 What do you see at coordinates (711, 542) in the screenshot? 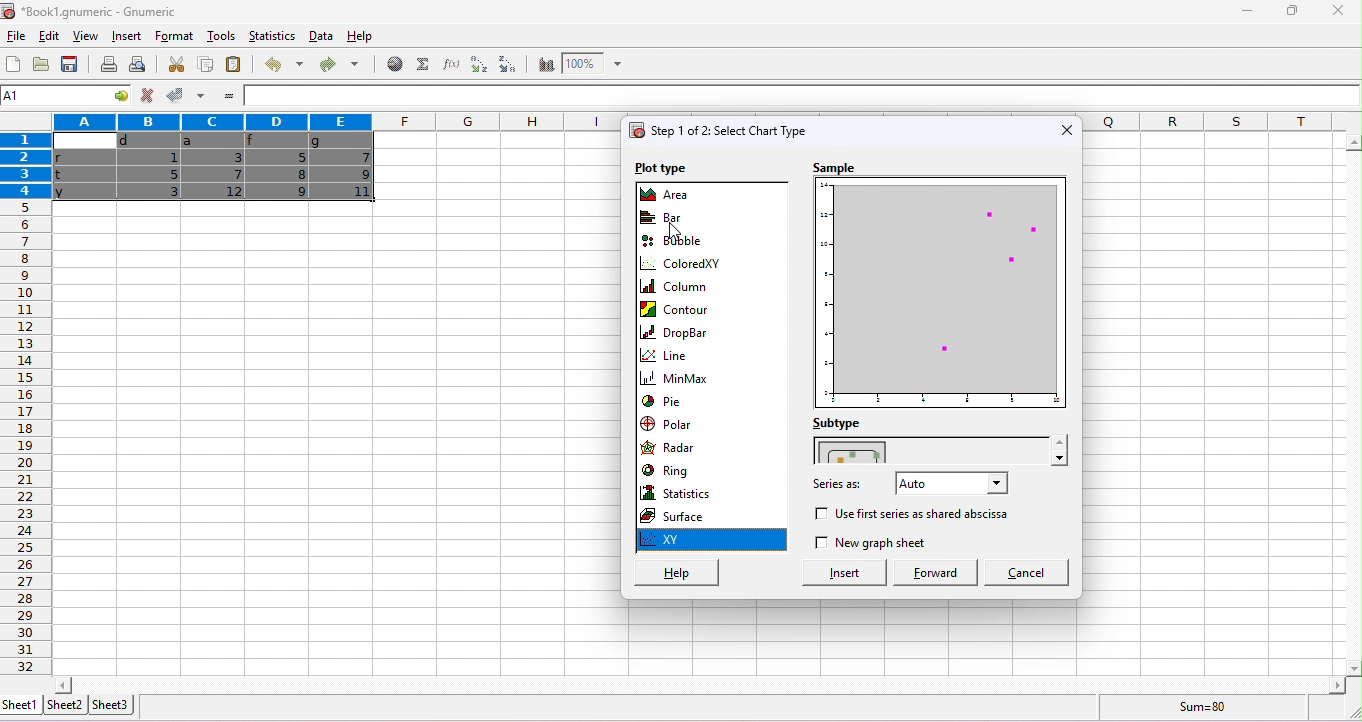
I see `xy` at bounding box center [711, 542].